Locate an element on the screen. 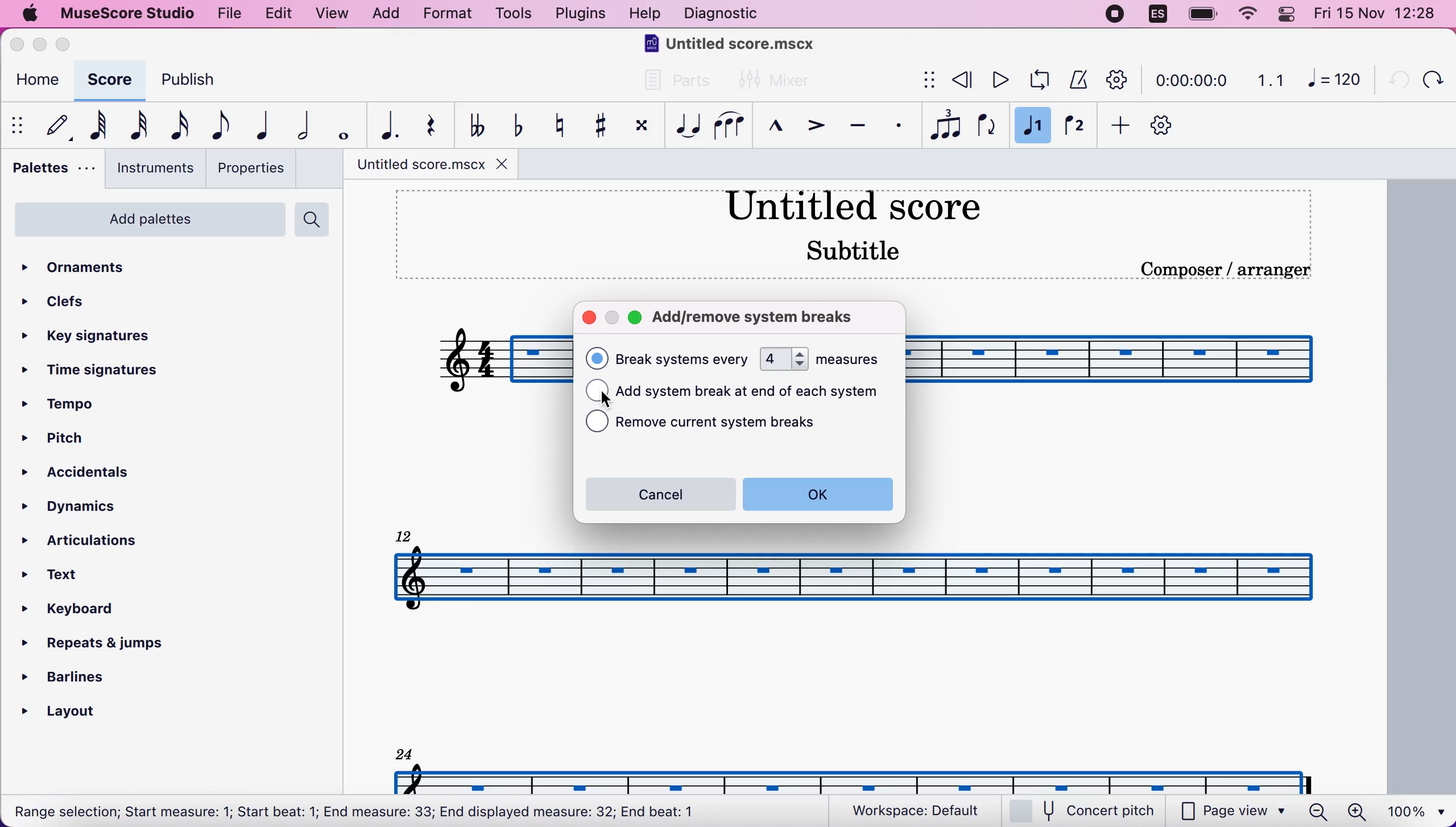 The image size is (1456, 827). add system break at end of each system is located at coordinates (757, 392).